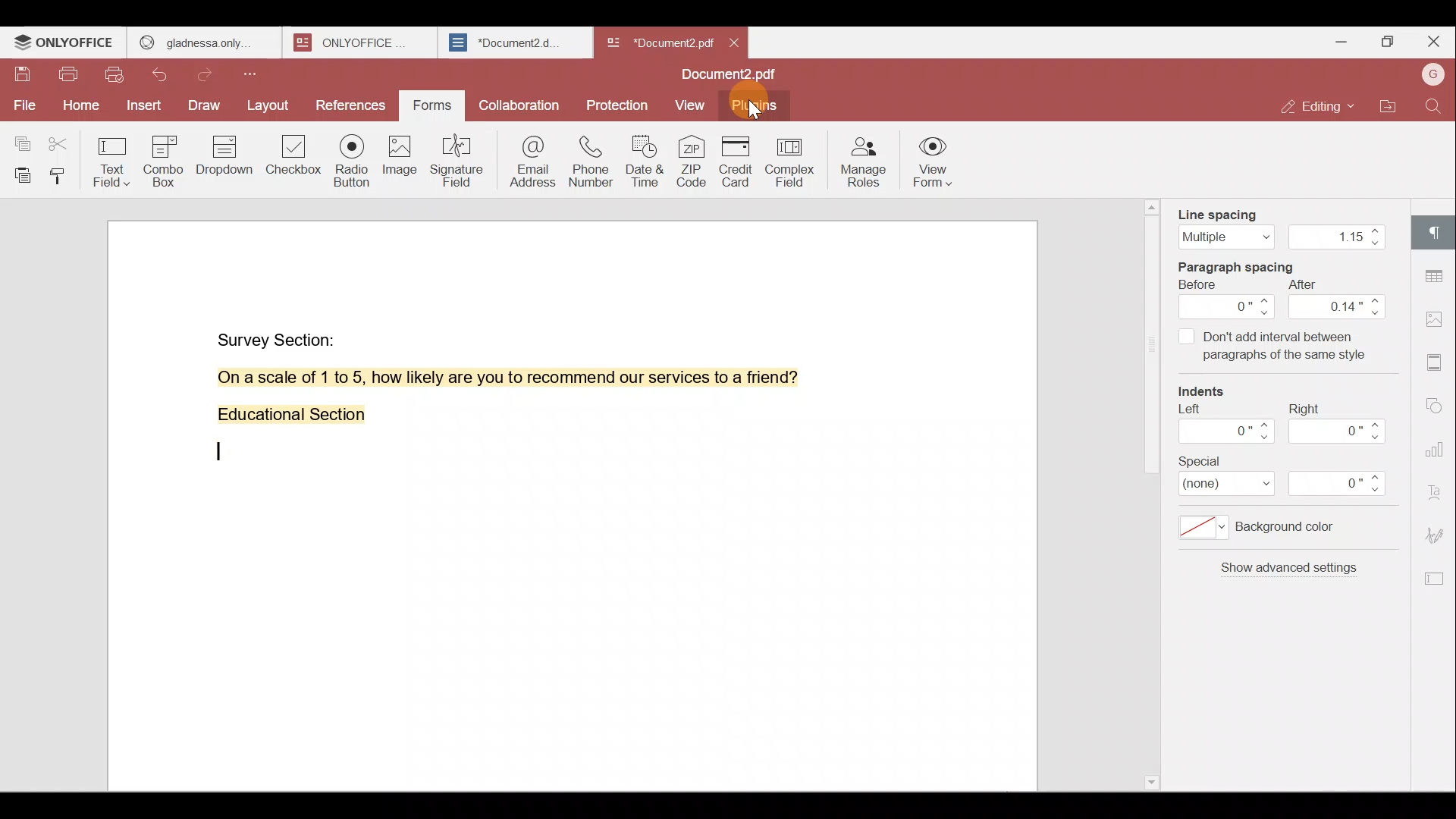 The height and width of the screenshot is (819, 1456). What do you see at coordinates (491, 378) in the screenshot?
I see `On a scale of 1 to 5, how likely are you to recommend our services to a friend?` at bounding box center [491, 378].